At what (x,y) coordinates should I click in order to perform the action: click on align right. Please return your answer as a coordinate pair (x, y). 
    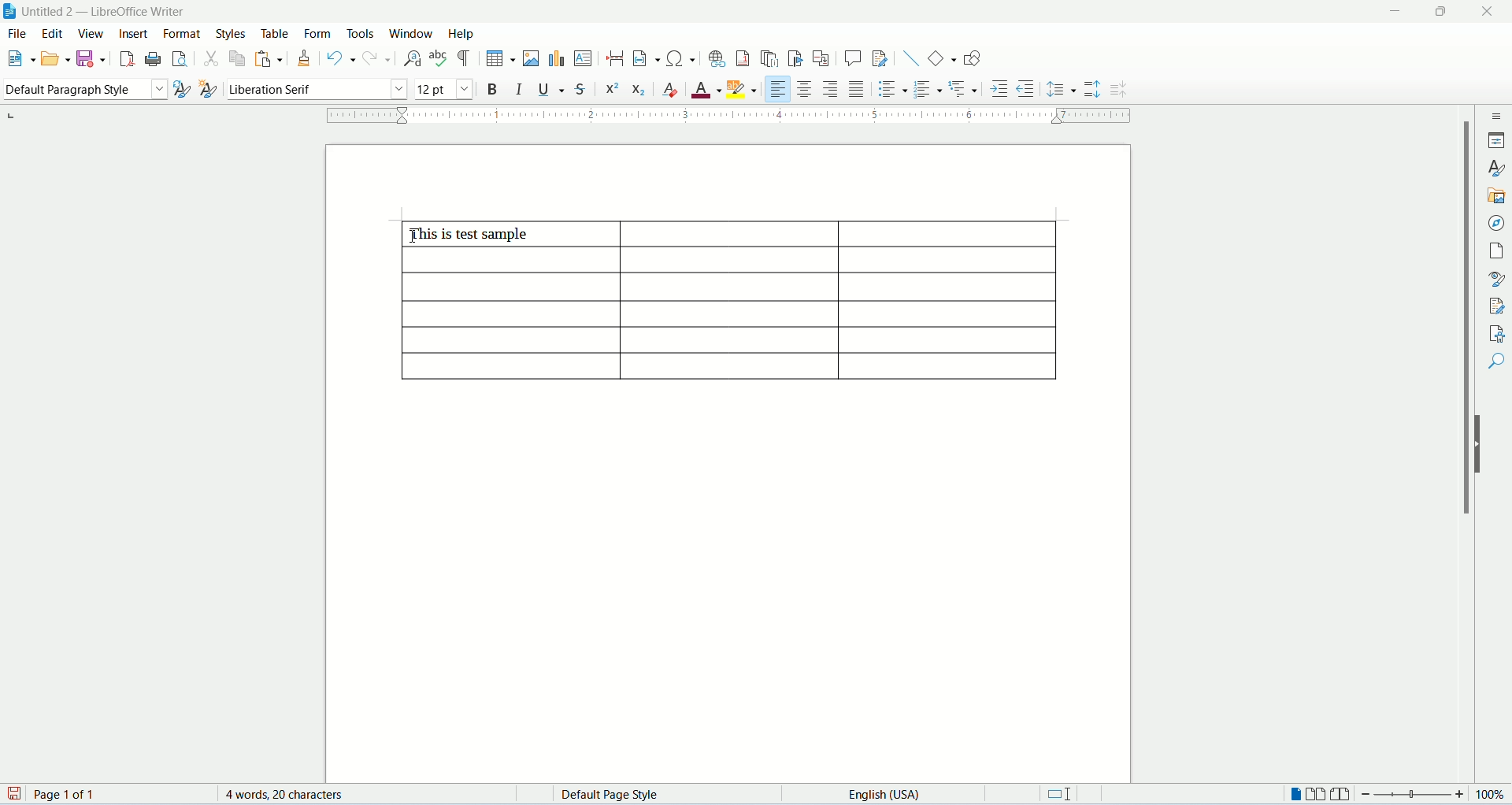
    Looking at the image, I should click on (833, 88).